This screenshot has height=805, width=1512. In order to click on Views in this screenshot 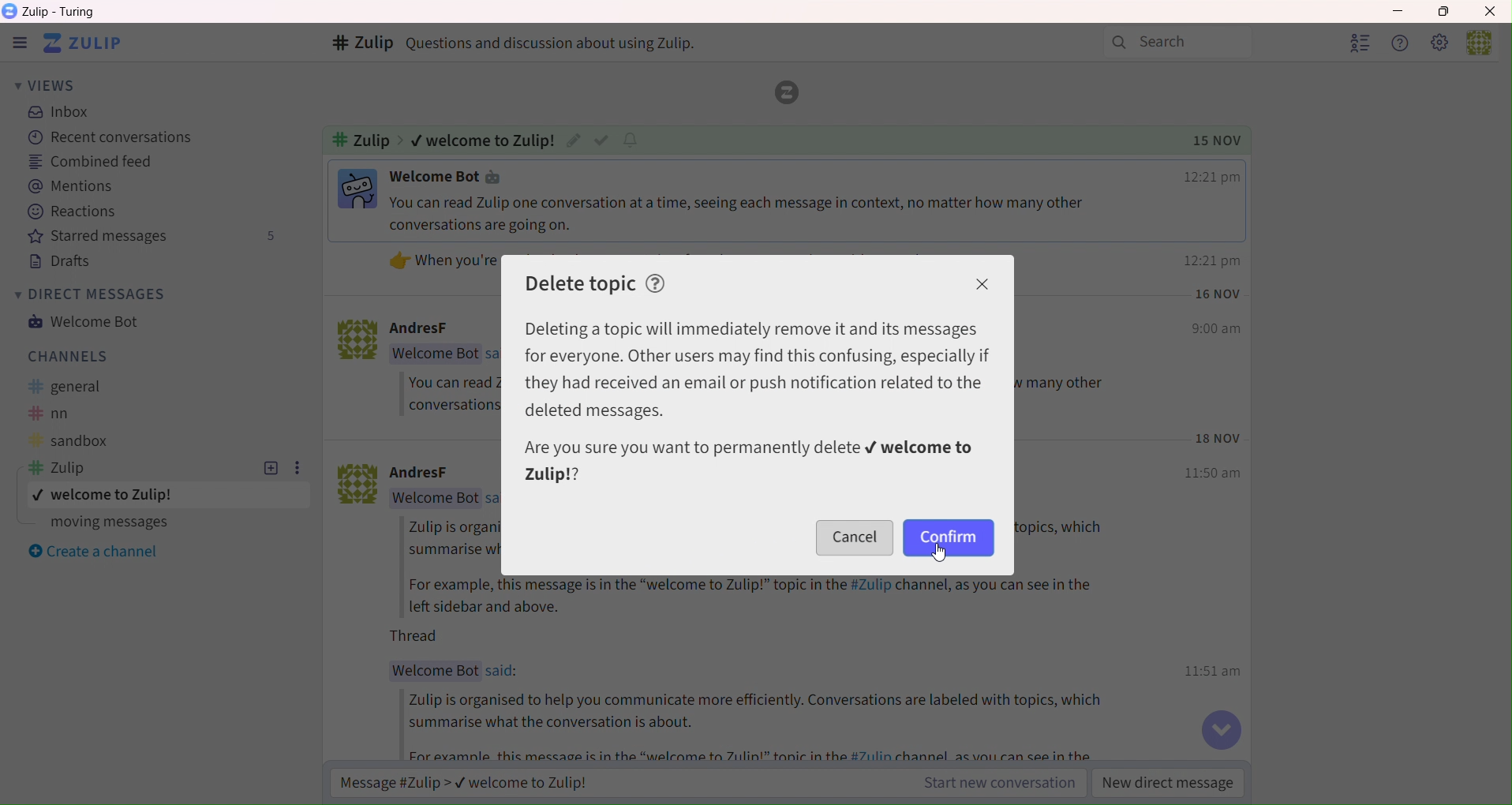, I will do `click(43, 85)`.